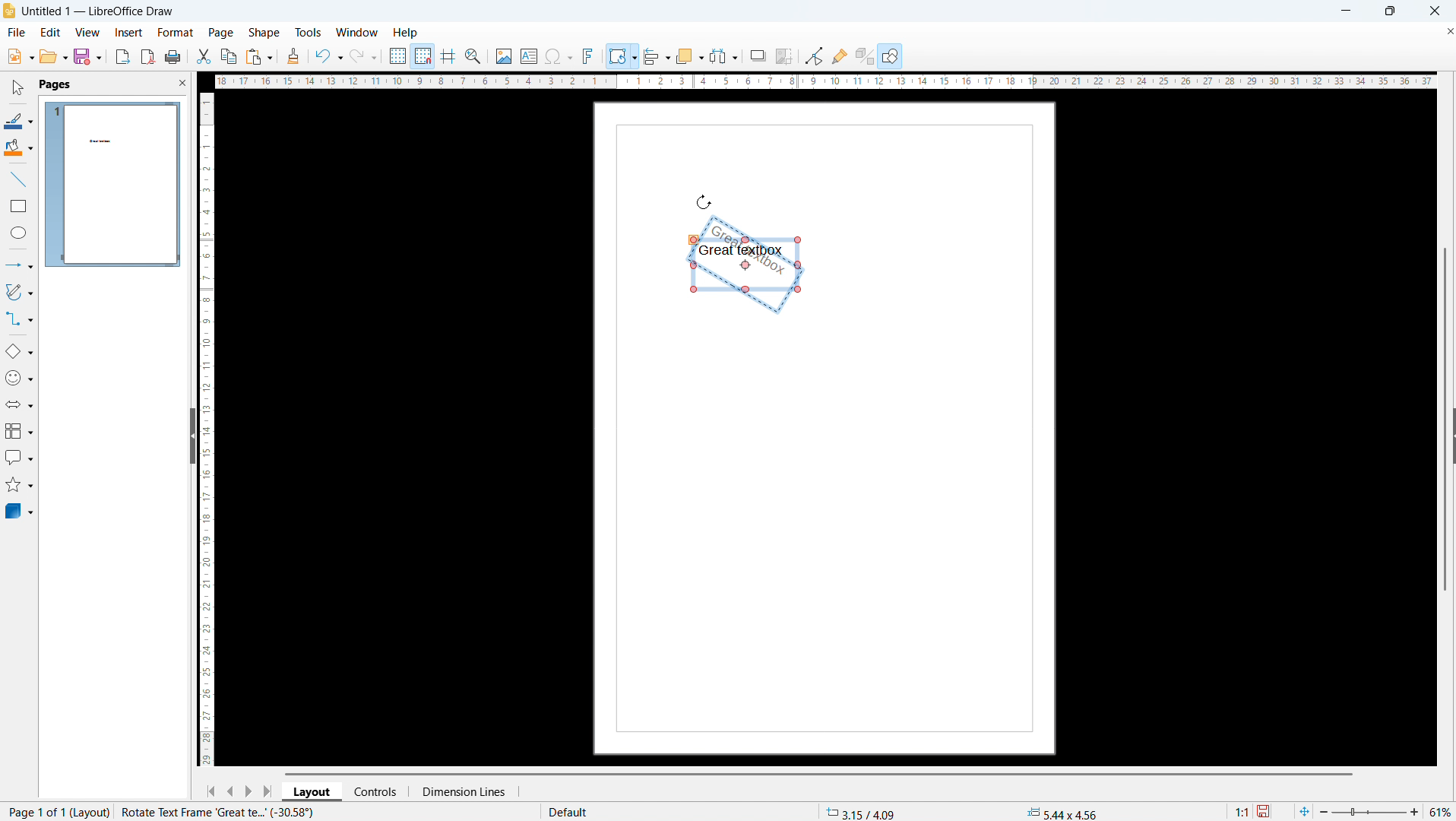 The height and width of the screenshot is (821, 1456). I want to click on close pane, so click(182, 82).